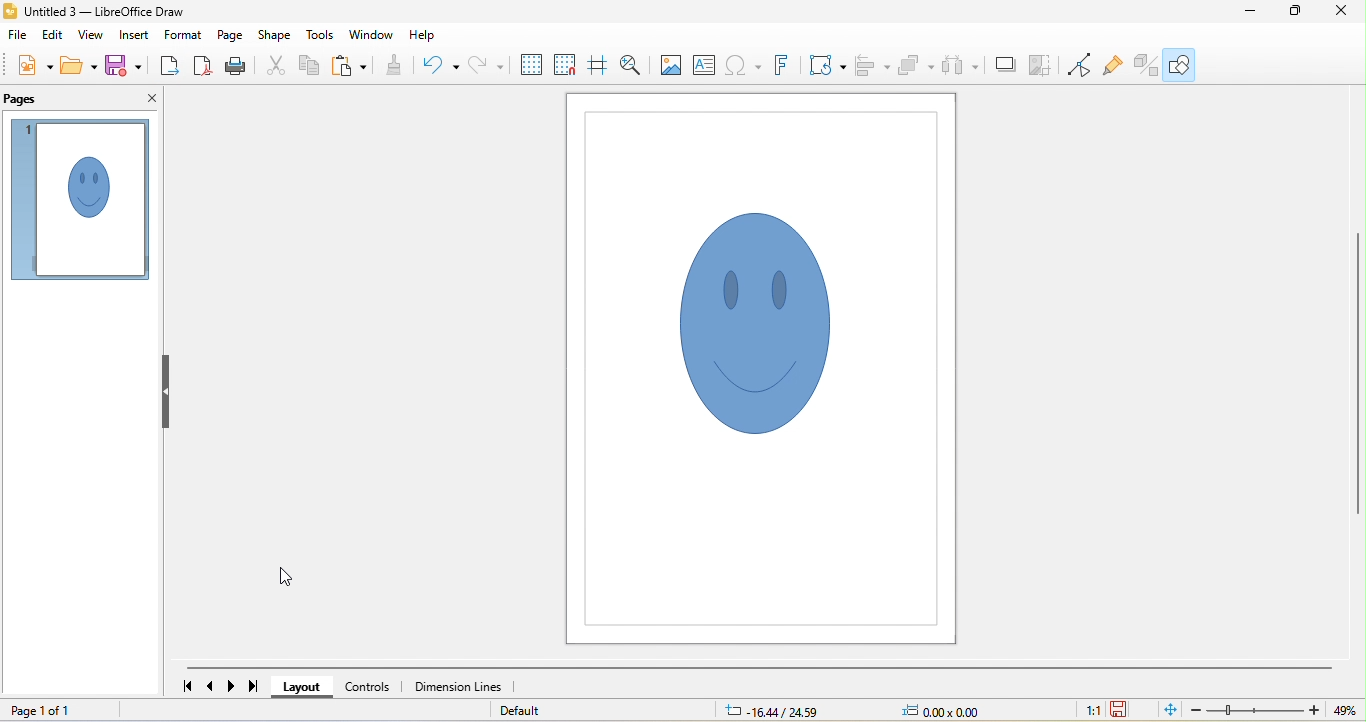  What do you see at coordinates (79, 200) in the screenshot?
I see `page view in page pane` at bounding box center [79, 200].